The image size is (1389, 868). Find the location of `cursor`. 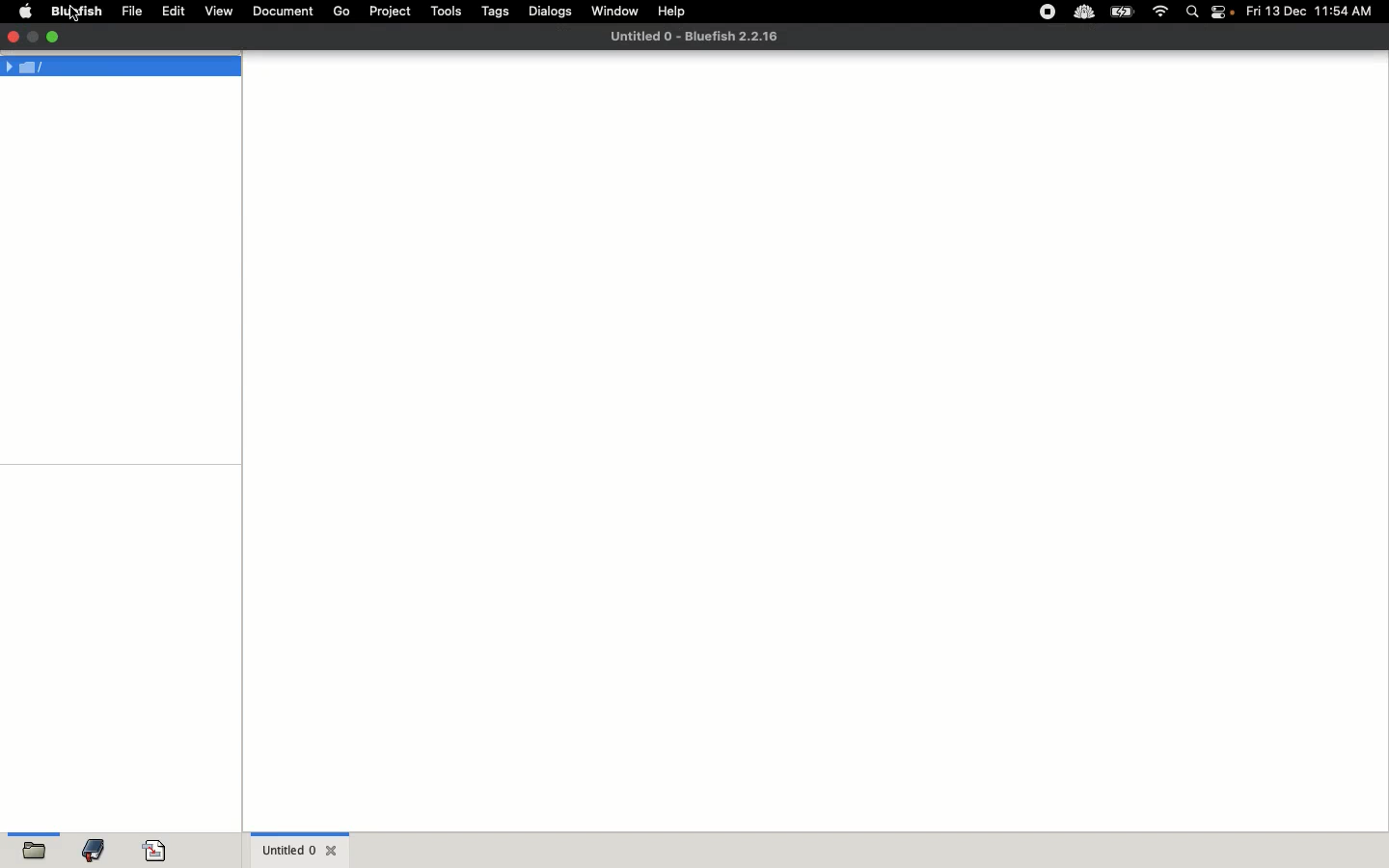

cursor is located at coordinates (74, 18).